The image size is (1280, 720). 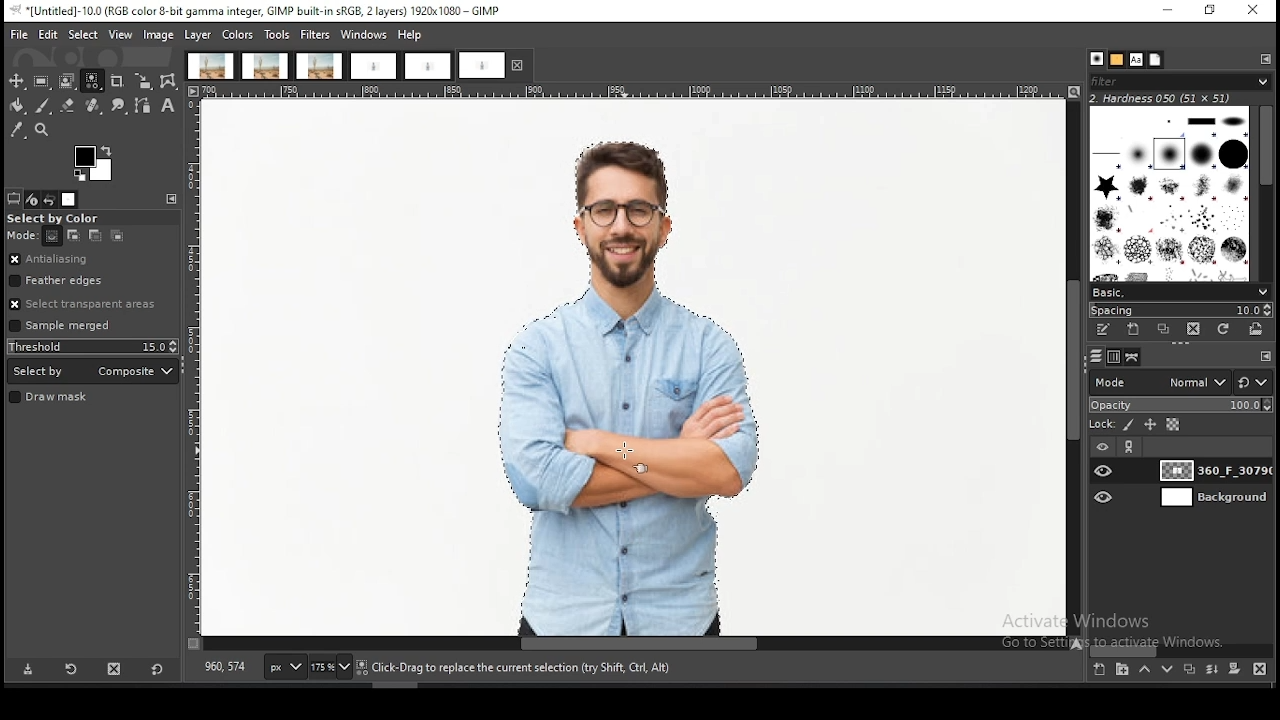 I want to click on paintbrush tool, so click(x=43, y=106).